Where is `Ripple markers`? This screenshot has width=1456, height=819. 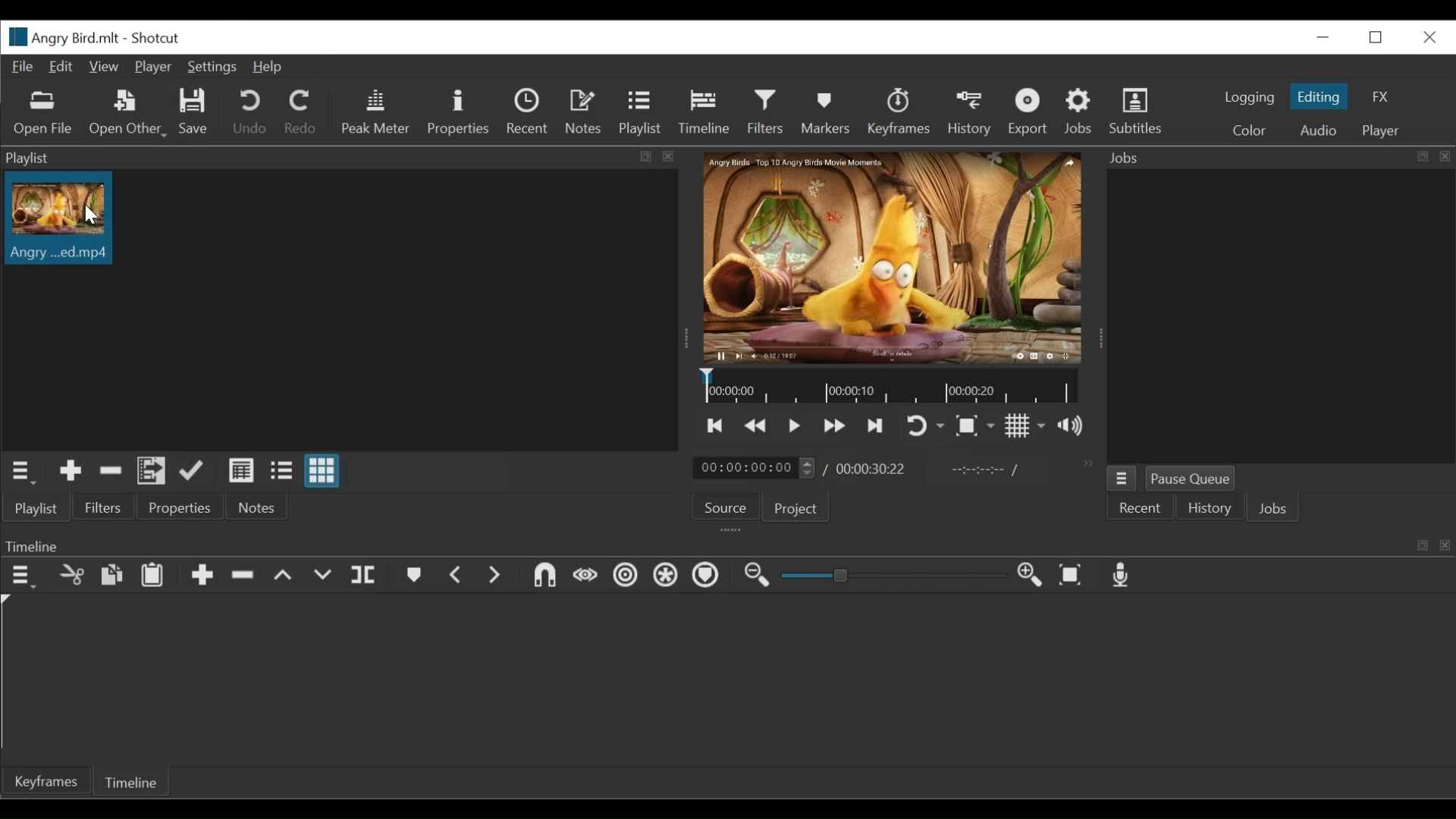 Ripple markers is located at coordinates (704, 576).